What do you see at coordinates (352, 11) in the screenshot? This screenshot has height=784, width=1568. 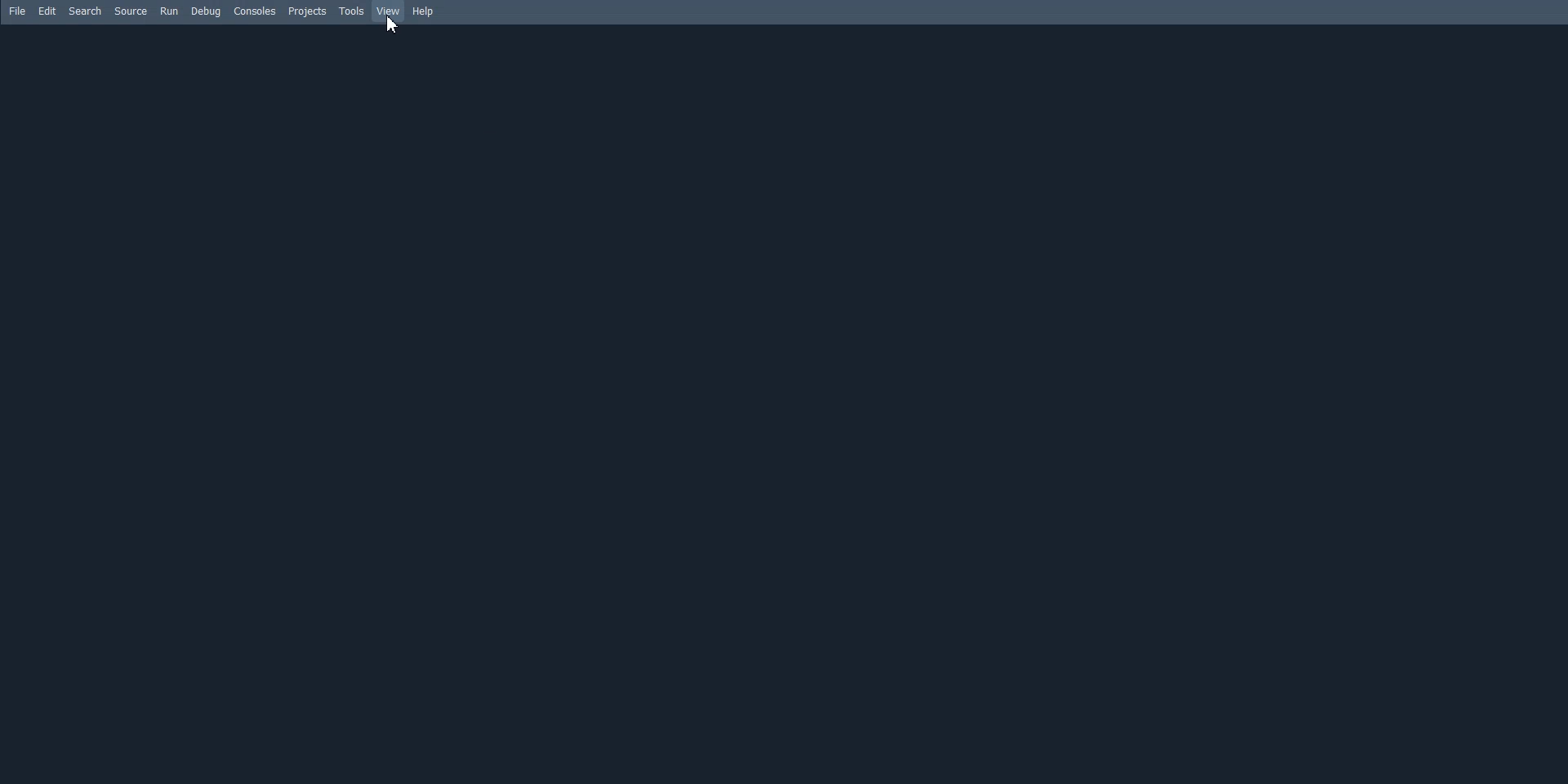 I see `Tools` at bounding box center [352, 11].